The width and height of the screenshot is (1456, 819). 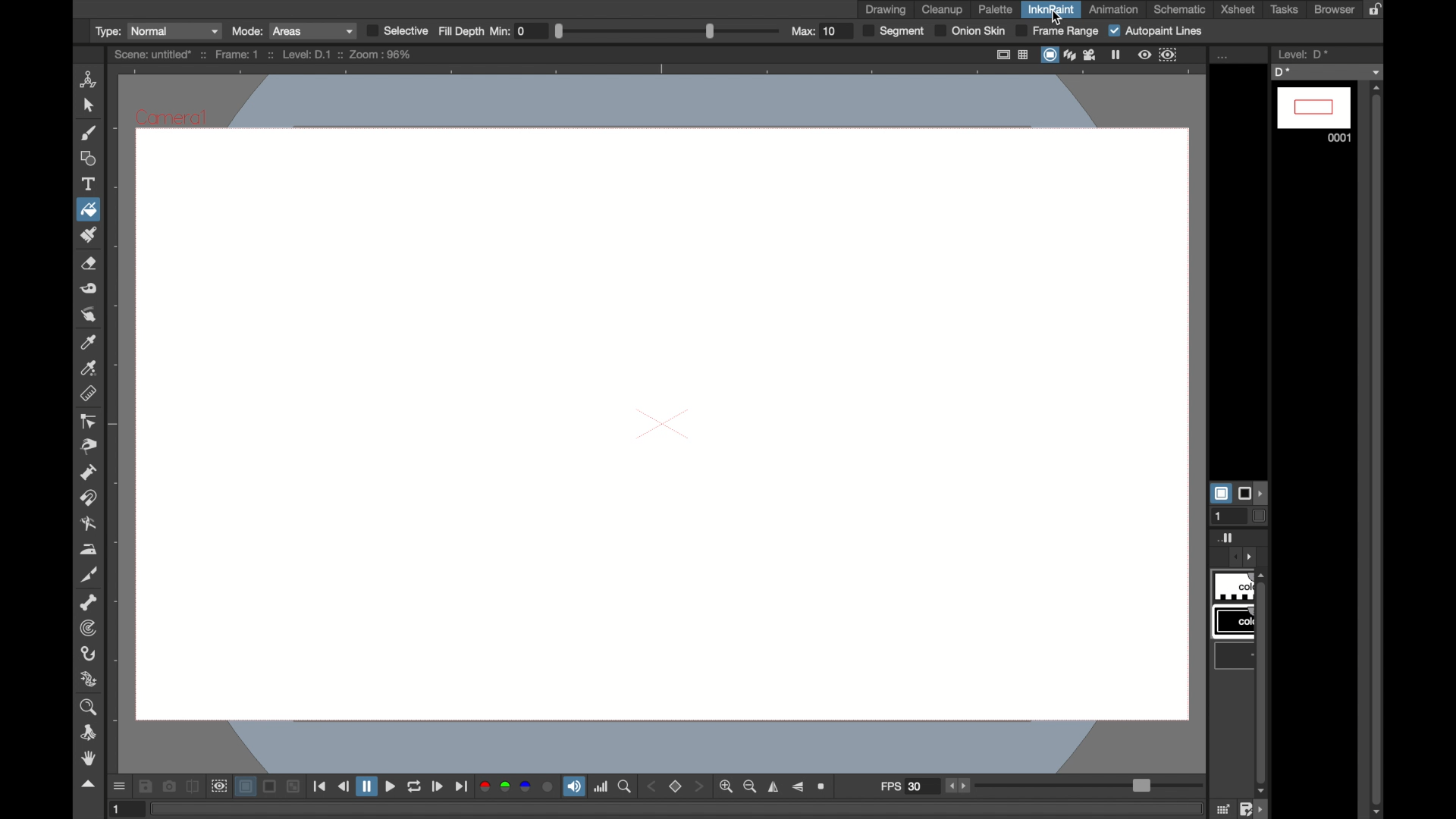 What do you see at coordinates (1287, 10) in the screenshot?
I see `tasks` at bounding box center [1287, 10].